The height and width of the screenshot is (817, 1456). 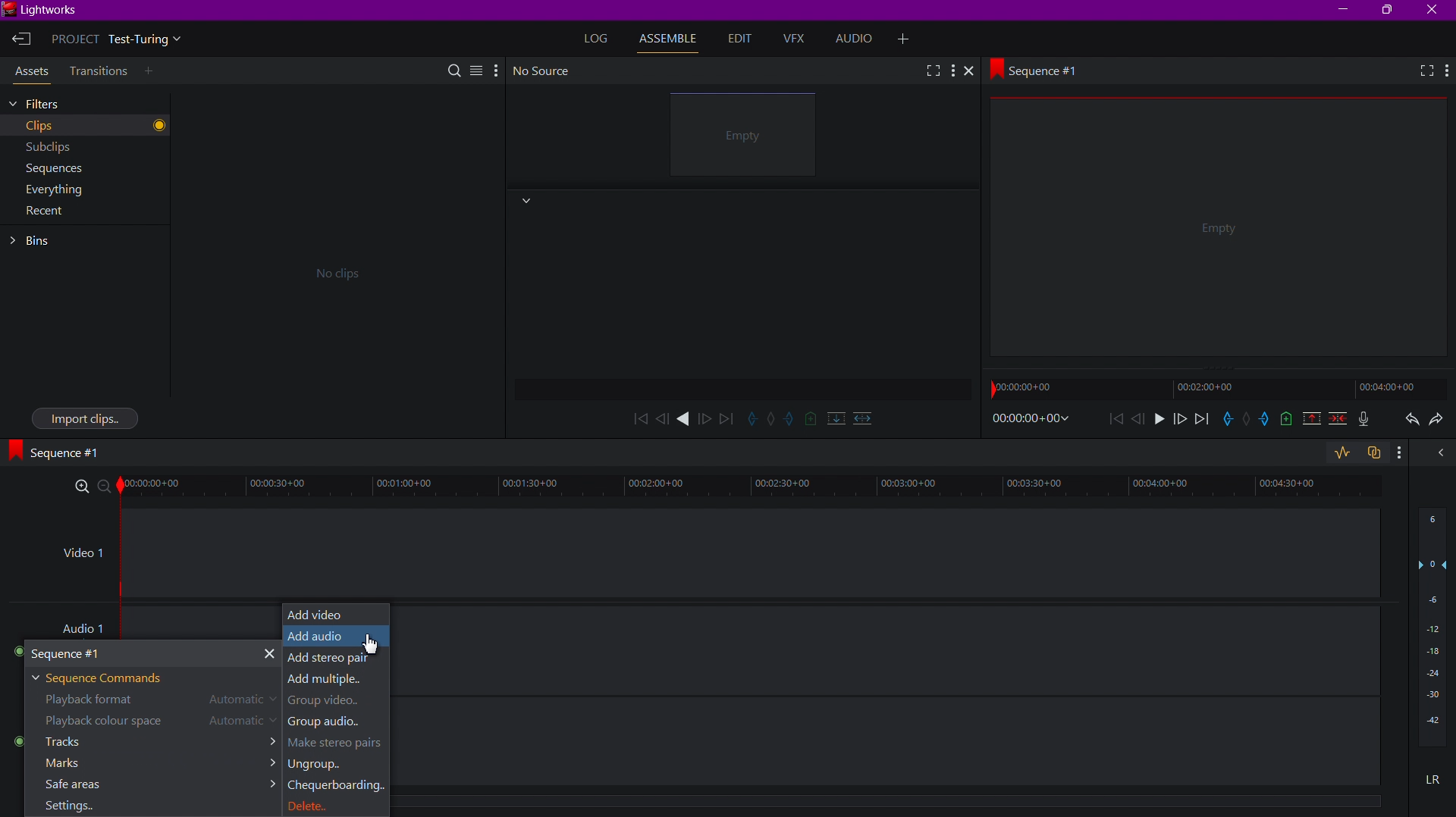 I want to click on automatic, so click(x=240, y=701).